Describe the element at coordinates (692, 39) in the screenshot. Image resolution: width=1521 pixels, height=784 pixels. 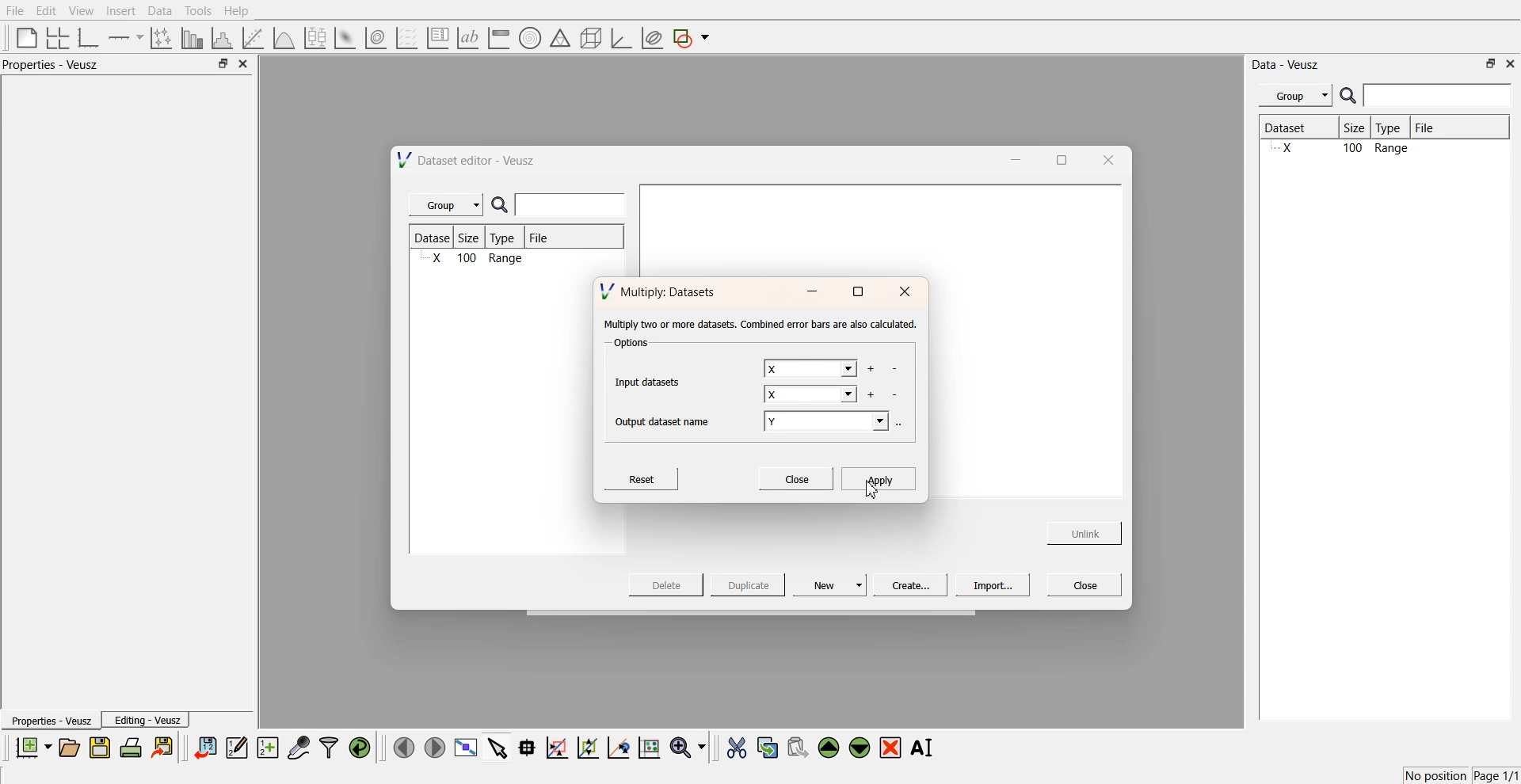
I see `add a shape` at that location.